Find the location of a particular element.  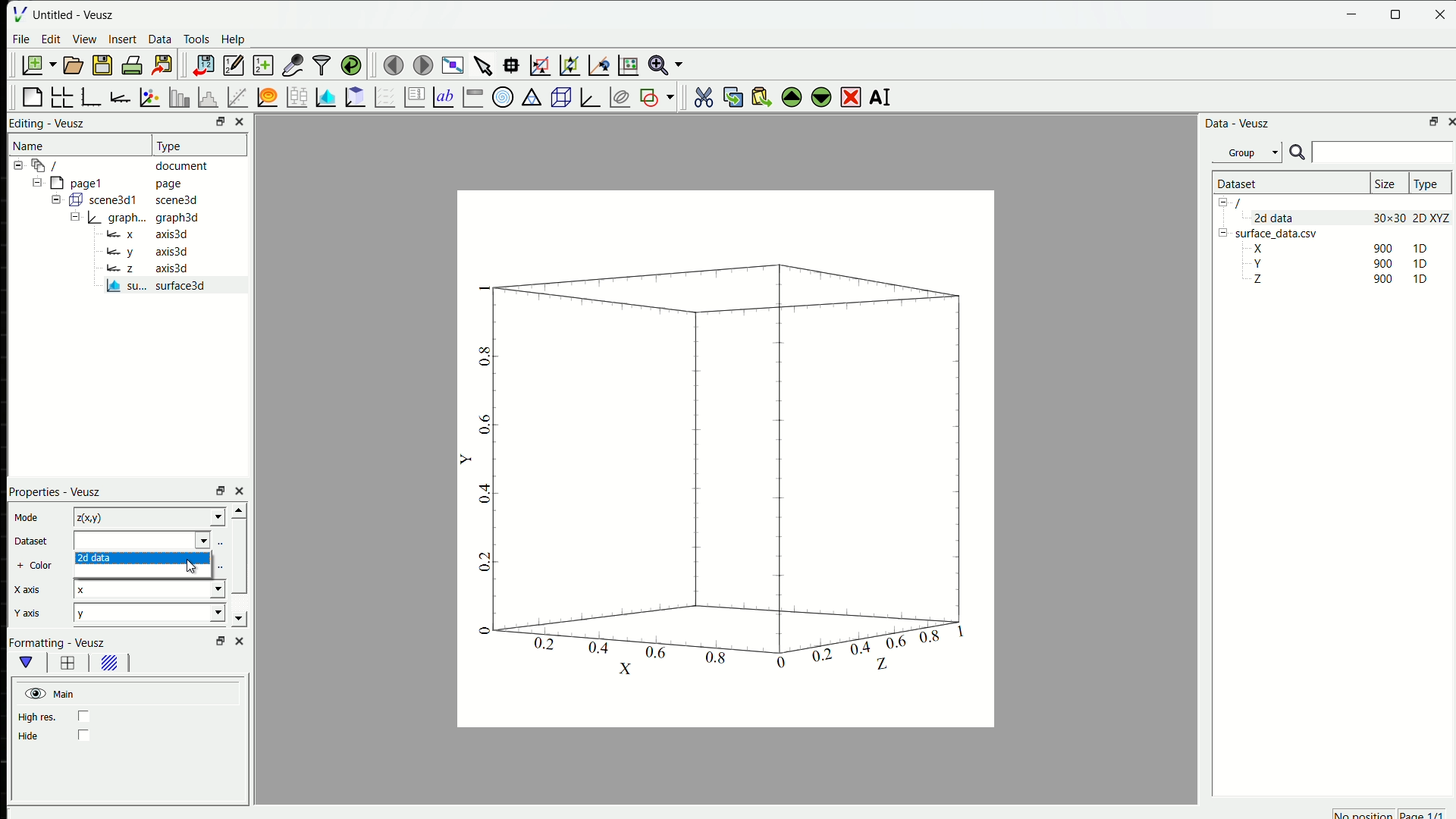

plot a function  is located at coordinates (268, 96).